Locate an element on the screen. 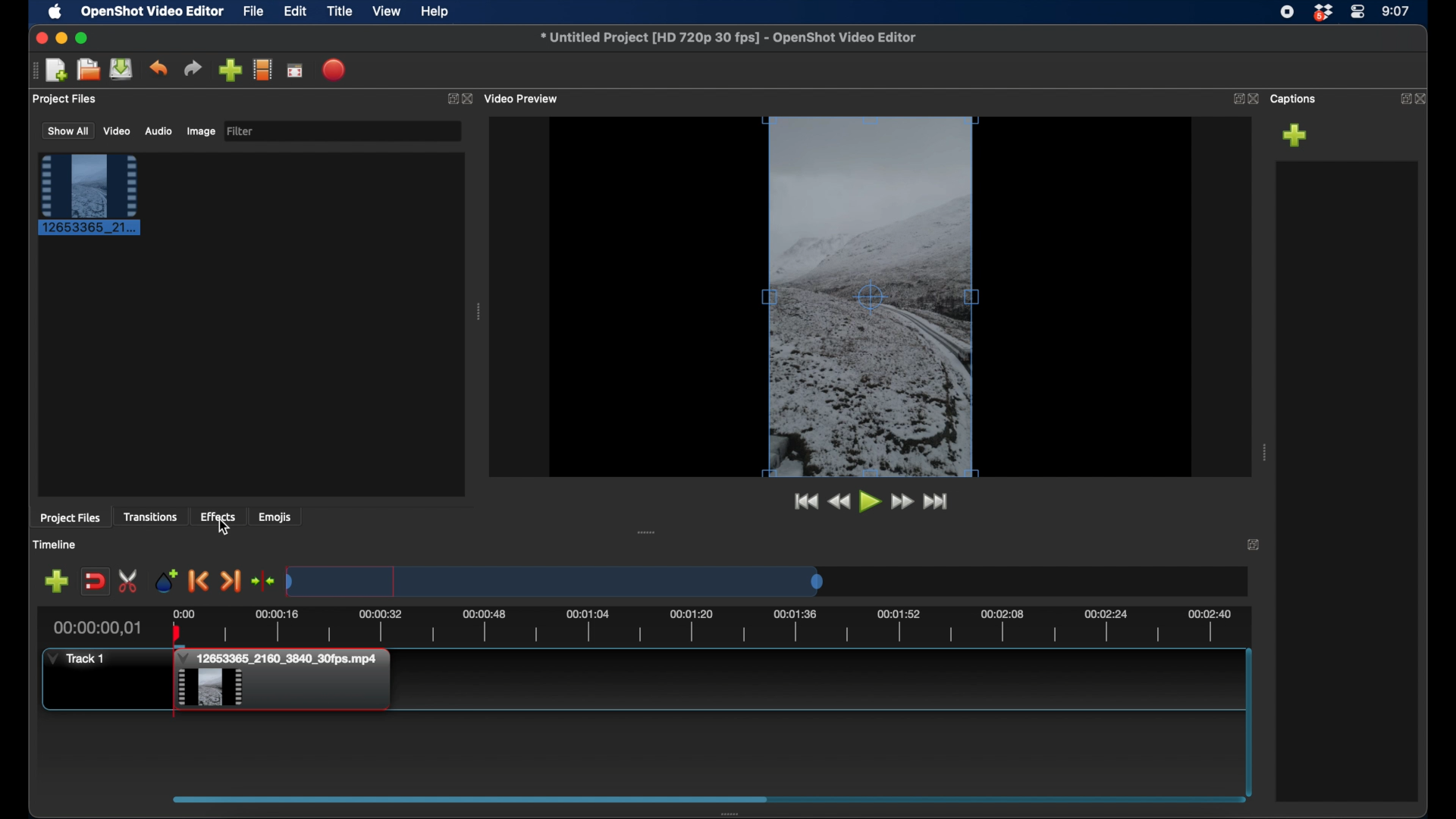 Image resolution: width=1456 pixels, height=819 pixels. maximize is located at coordinates (83, 38).